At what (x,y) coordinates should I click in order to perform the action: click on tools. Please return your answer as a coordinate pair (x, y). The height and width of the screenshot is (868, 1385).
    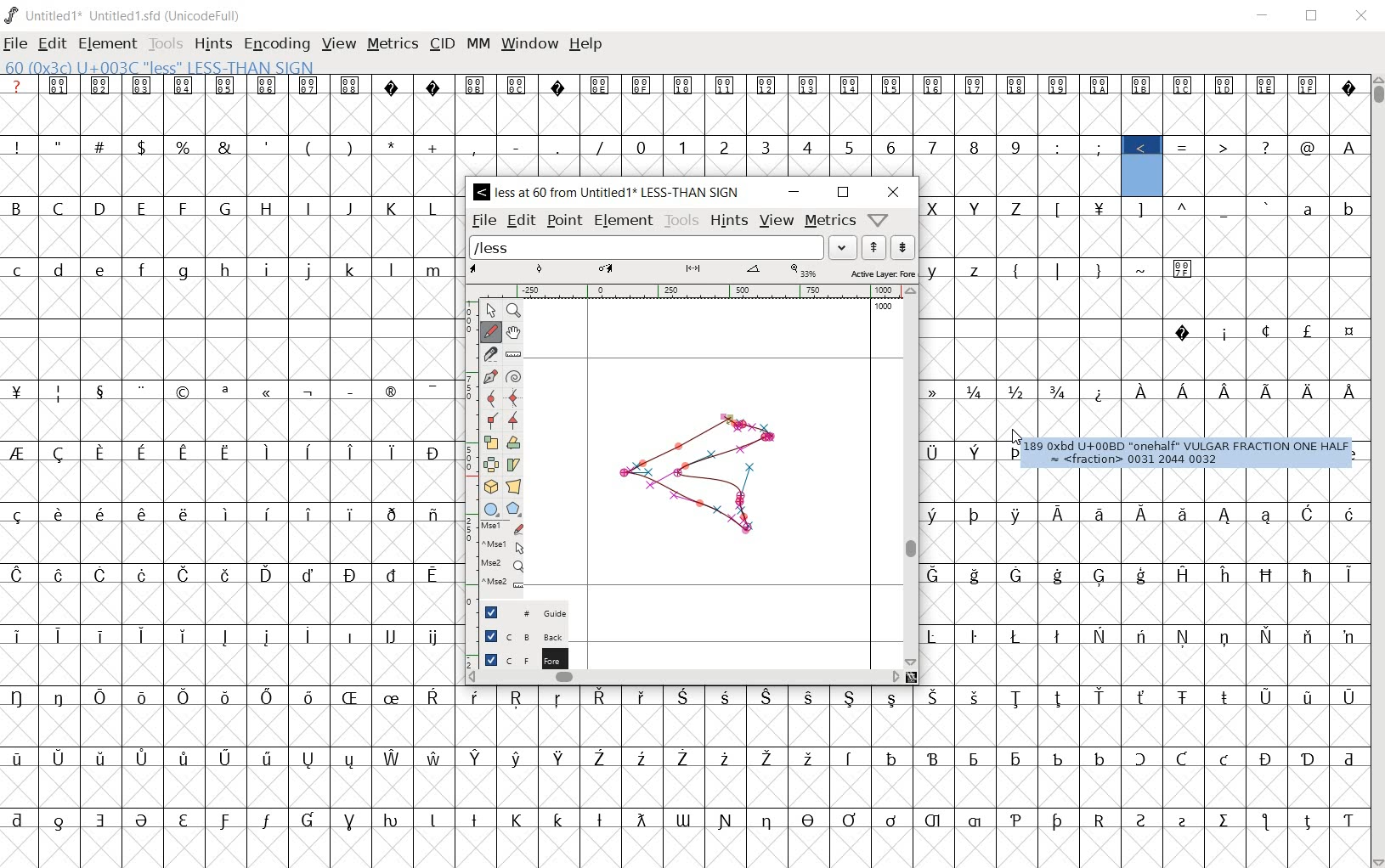
    Looking at the image, I should click on (166, 42).